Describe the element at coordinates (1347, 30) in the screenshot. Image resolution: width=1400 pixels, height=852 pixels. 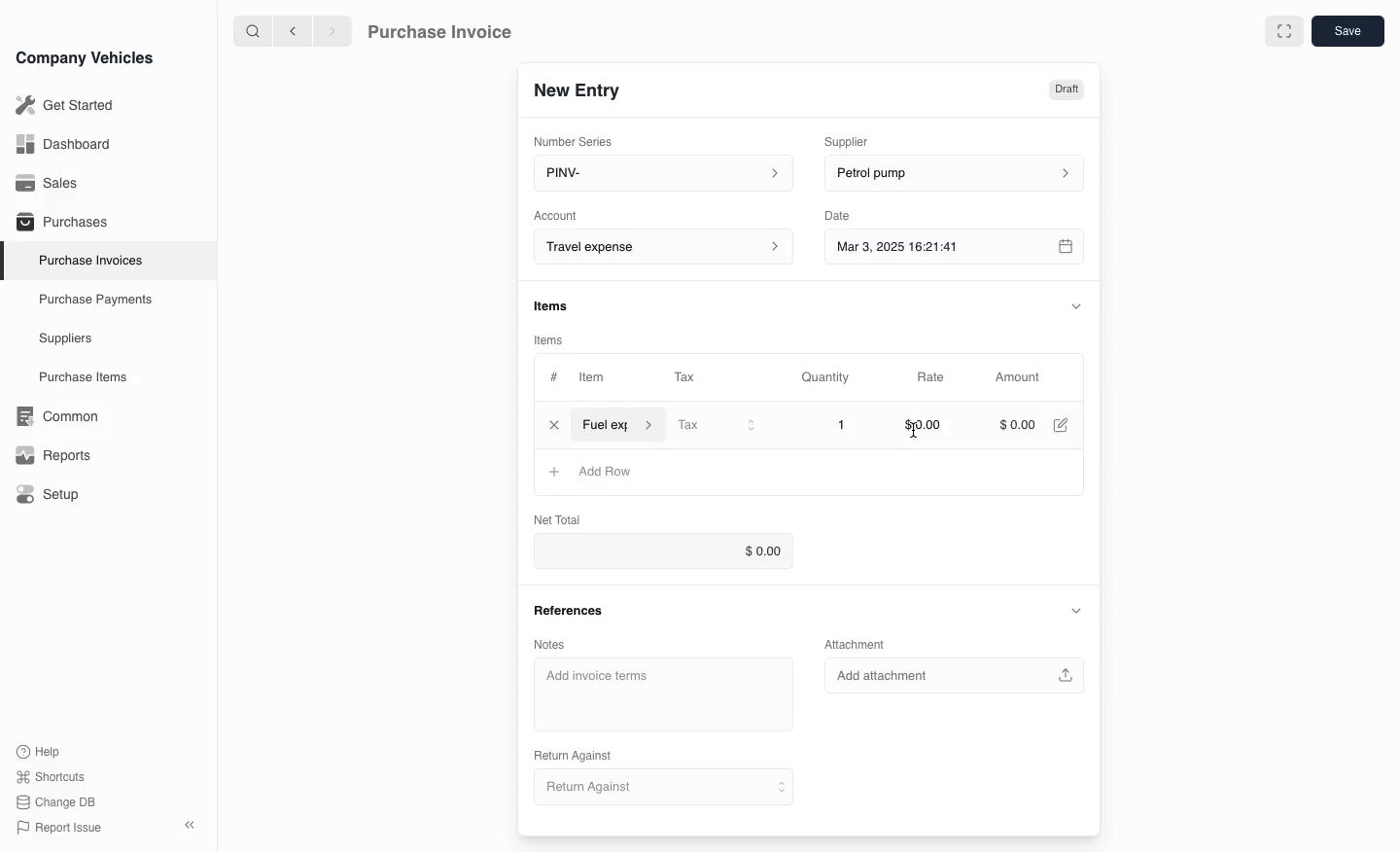
I see `save` at that location.